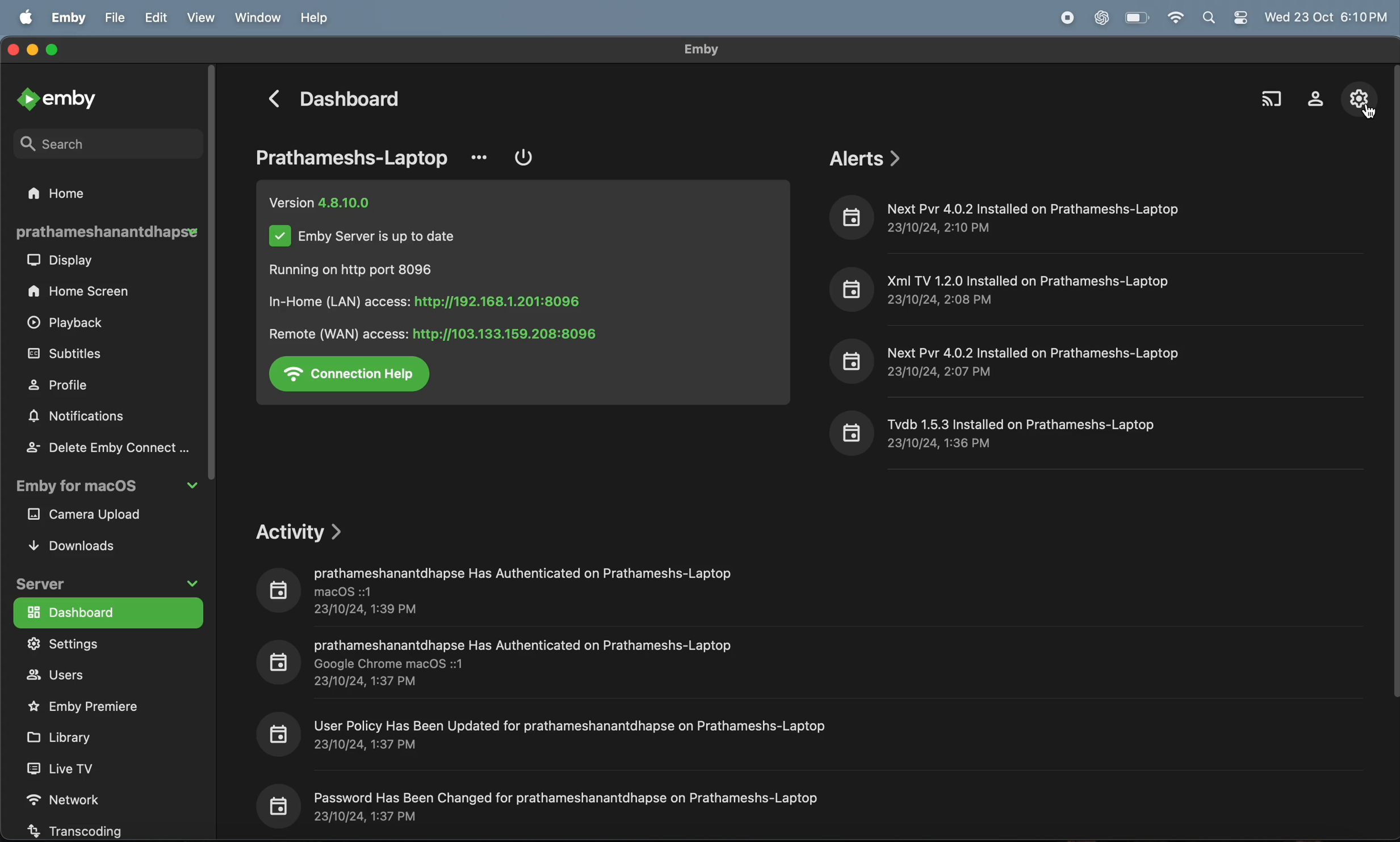 Image resolution: width=1400 pixels, height=842 pixels. I want to click on time and date, so click(1326, 16).